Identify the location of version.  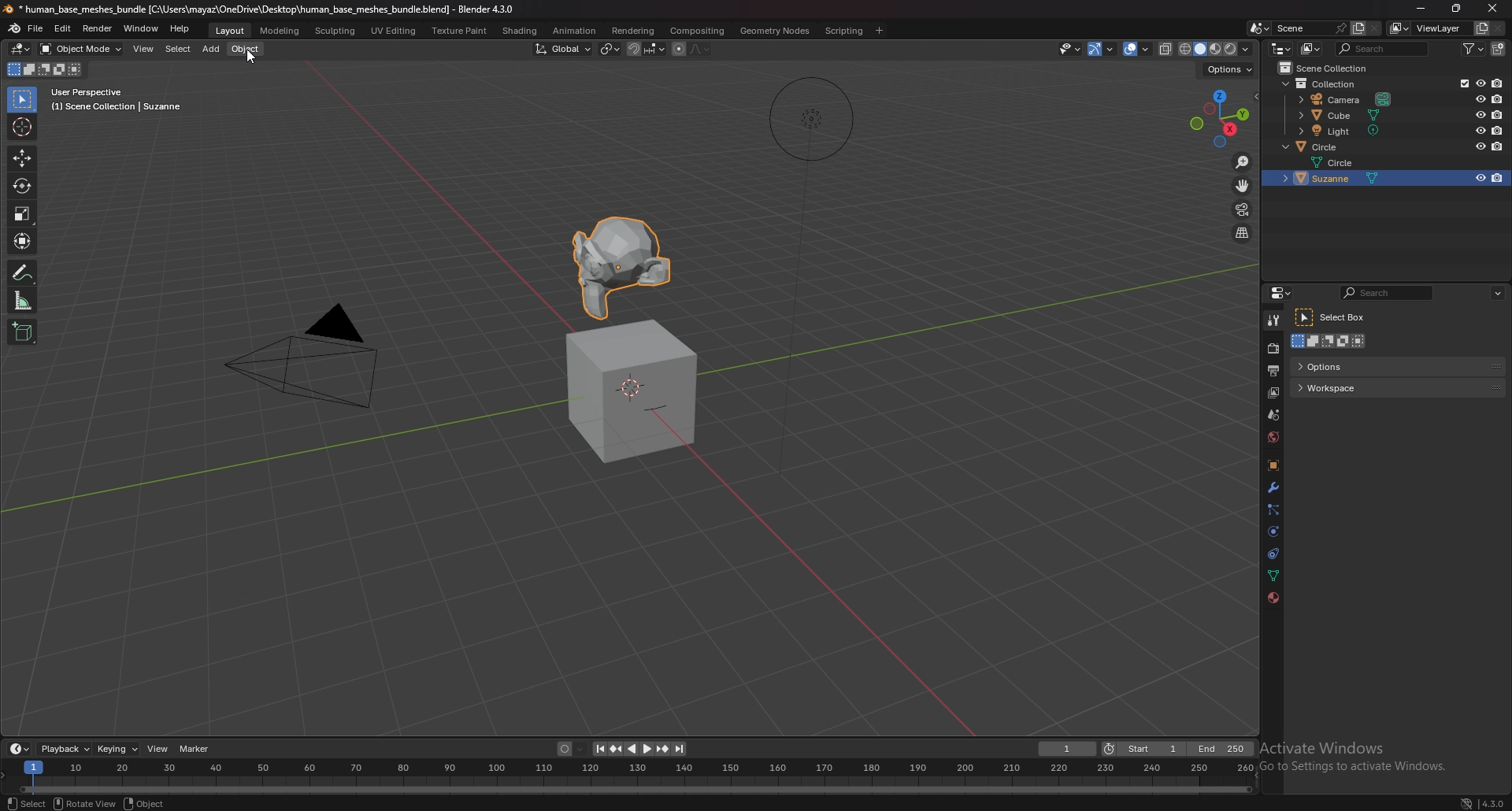
(1493, 804).